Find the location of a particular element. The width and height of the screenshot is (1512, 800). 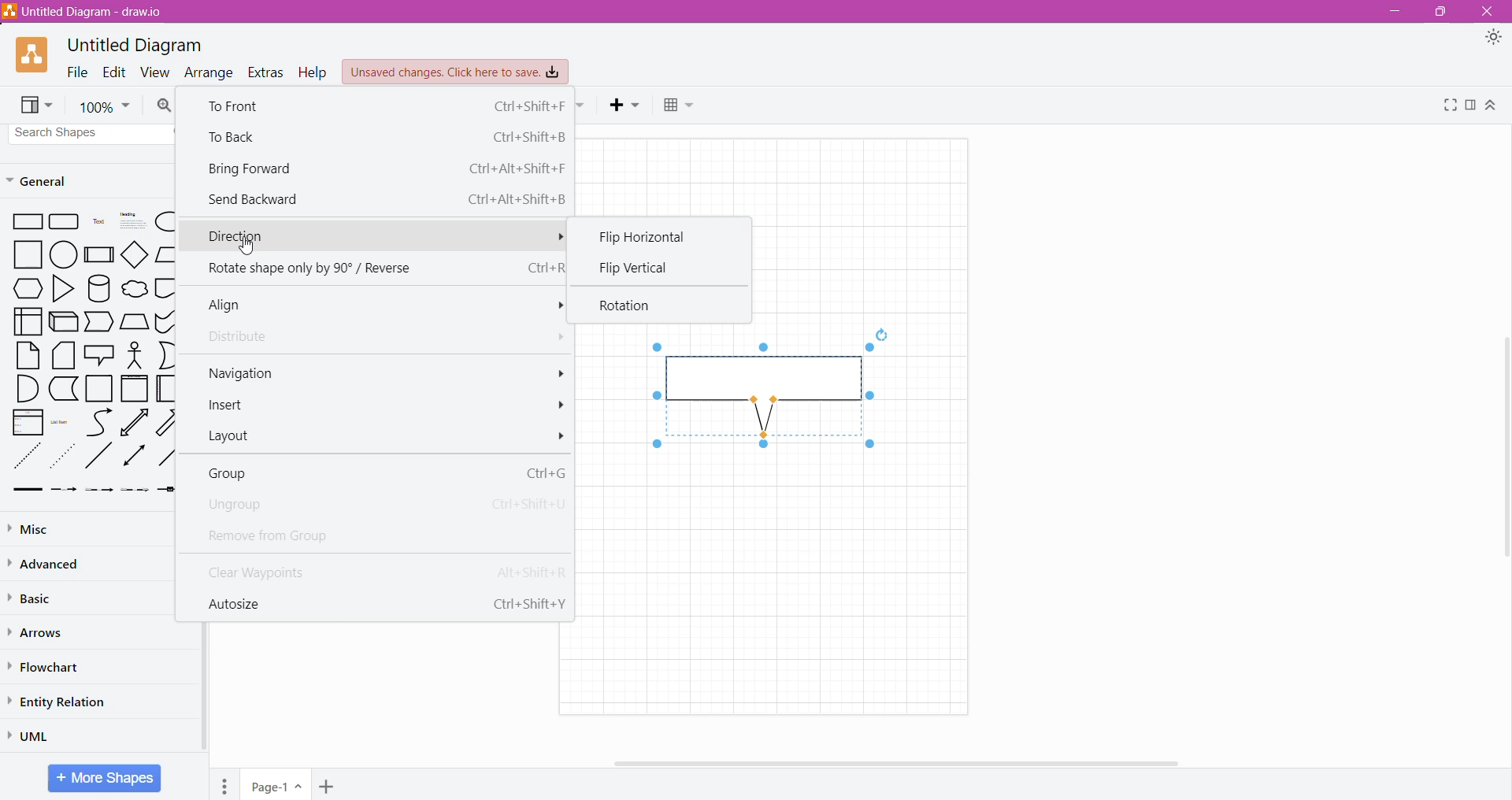

Align is located at coordinates (234, 306).